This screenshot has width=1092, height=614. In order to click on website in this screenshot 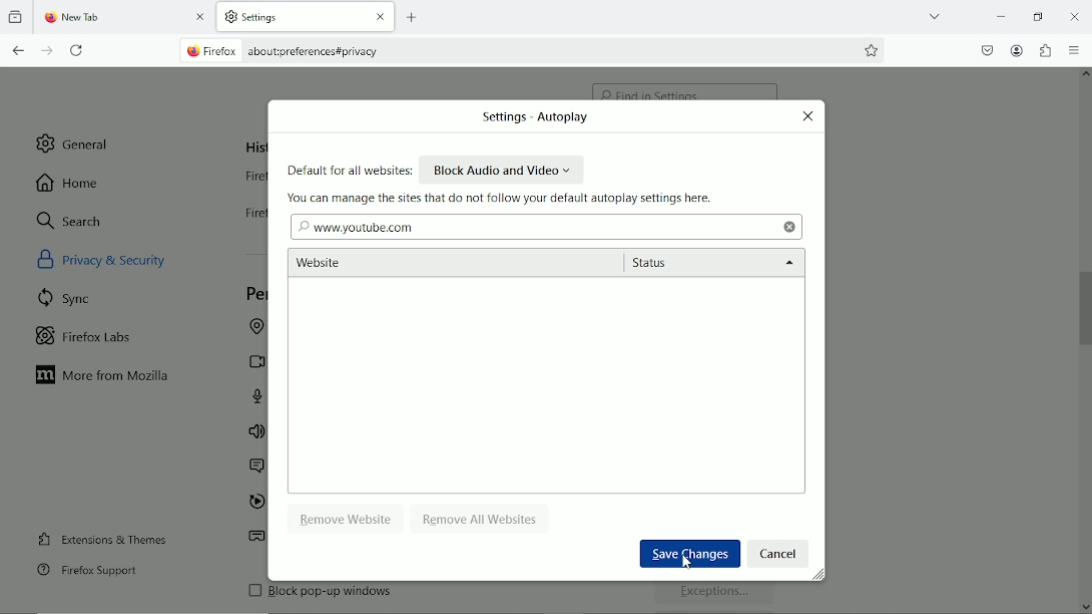, I will do `click(397, 264)`.